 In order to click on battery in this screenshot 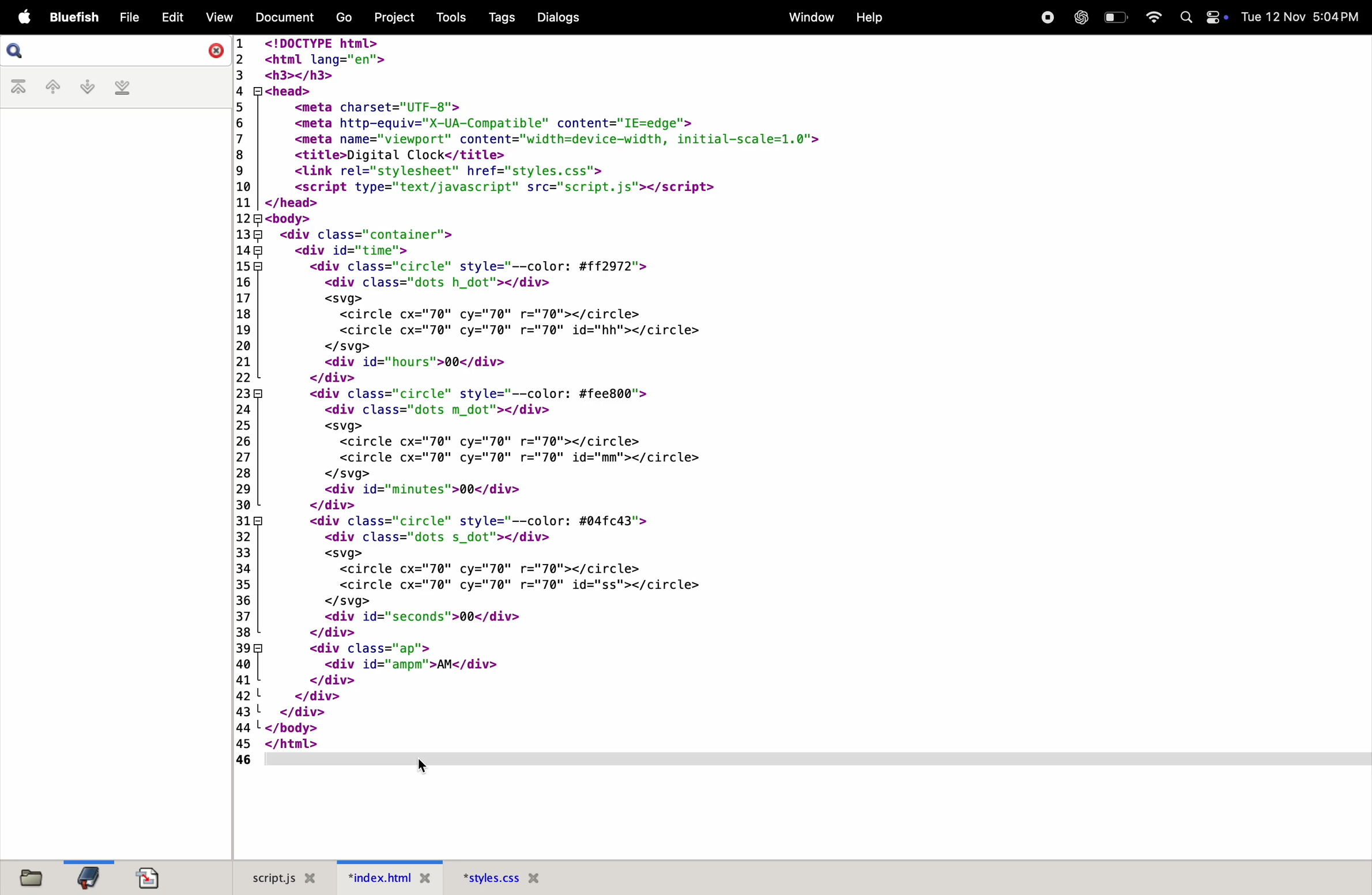, I will do `click(1118, 17)`.